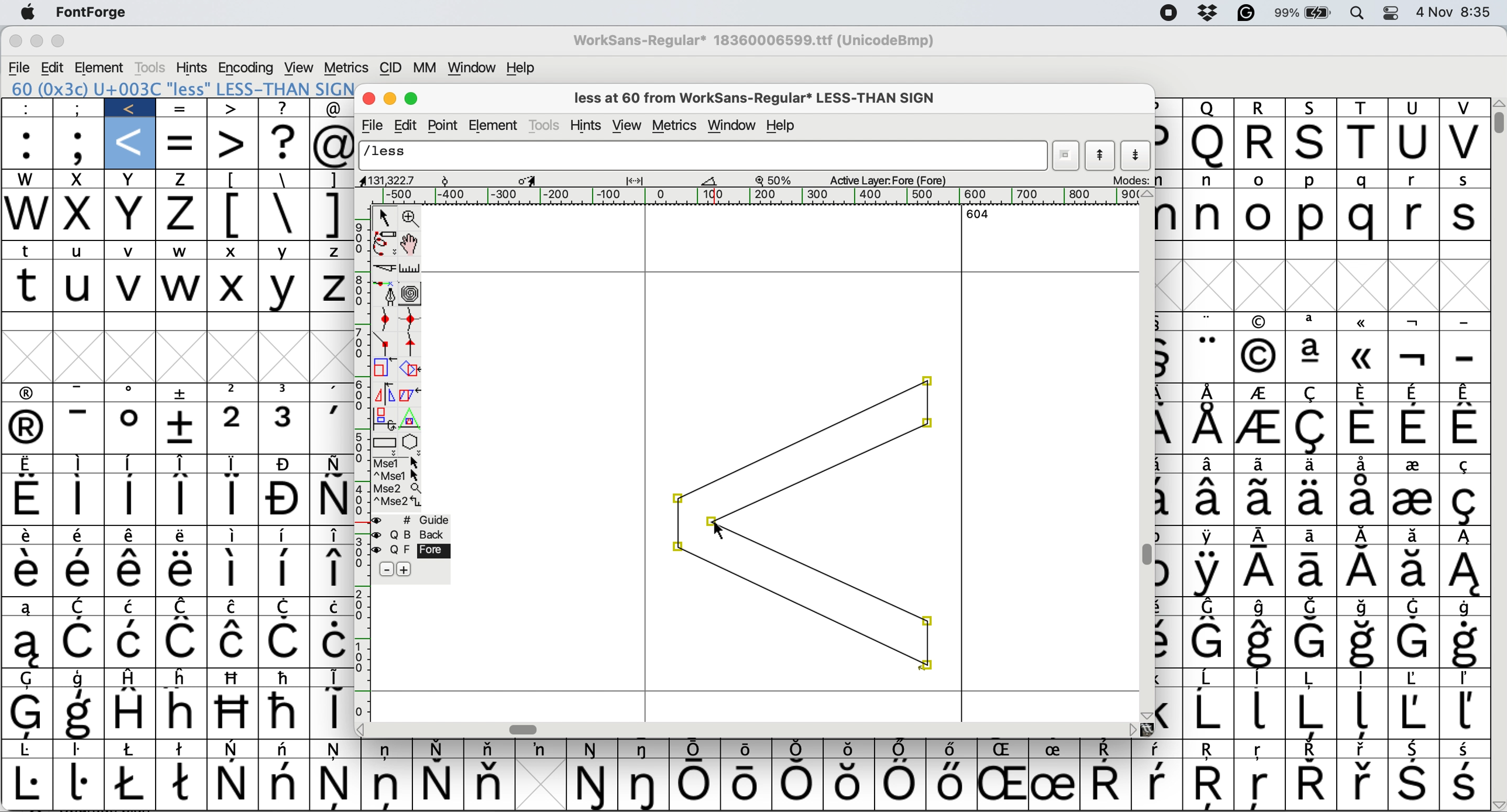 The image size is (1507, 812). I want to click on Symbol, so click(1169, 714).